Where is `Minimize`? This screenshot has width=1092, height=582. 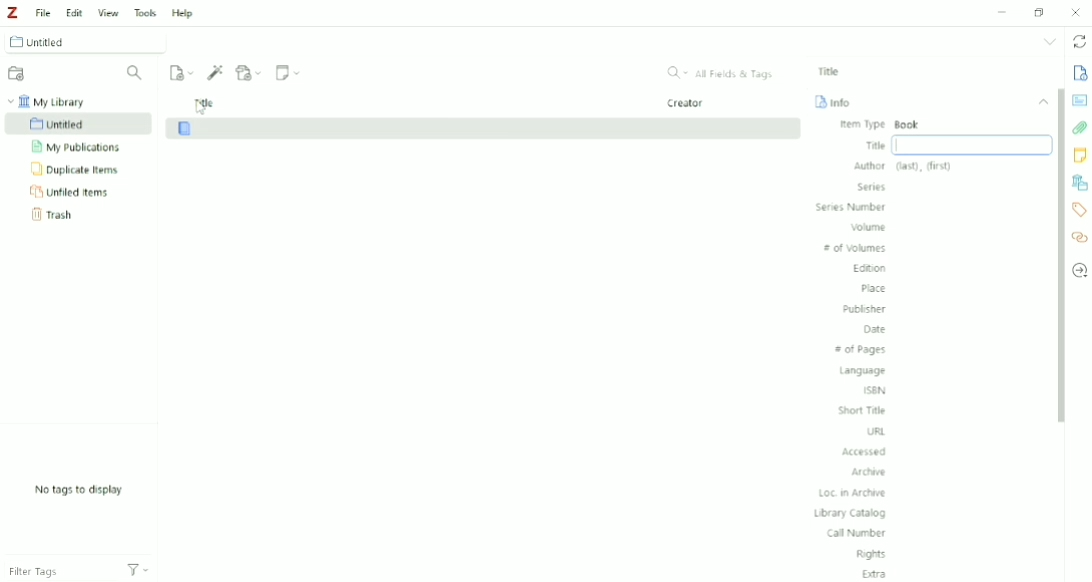
Minimize is located at coordinates (1003, 13).